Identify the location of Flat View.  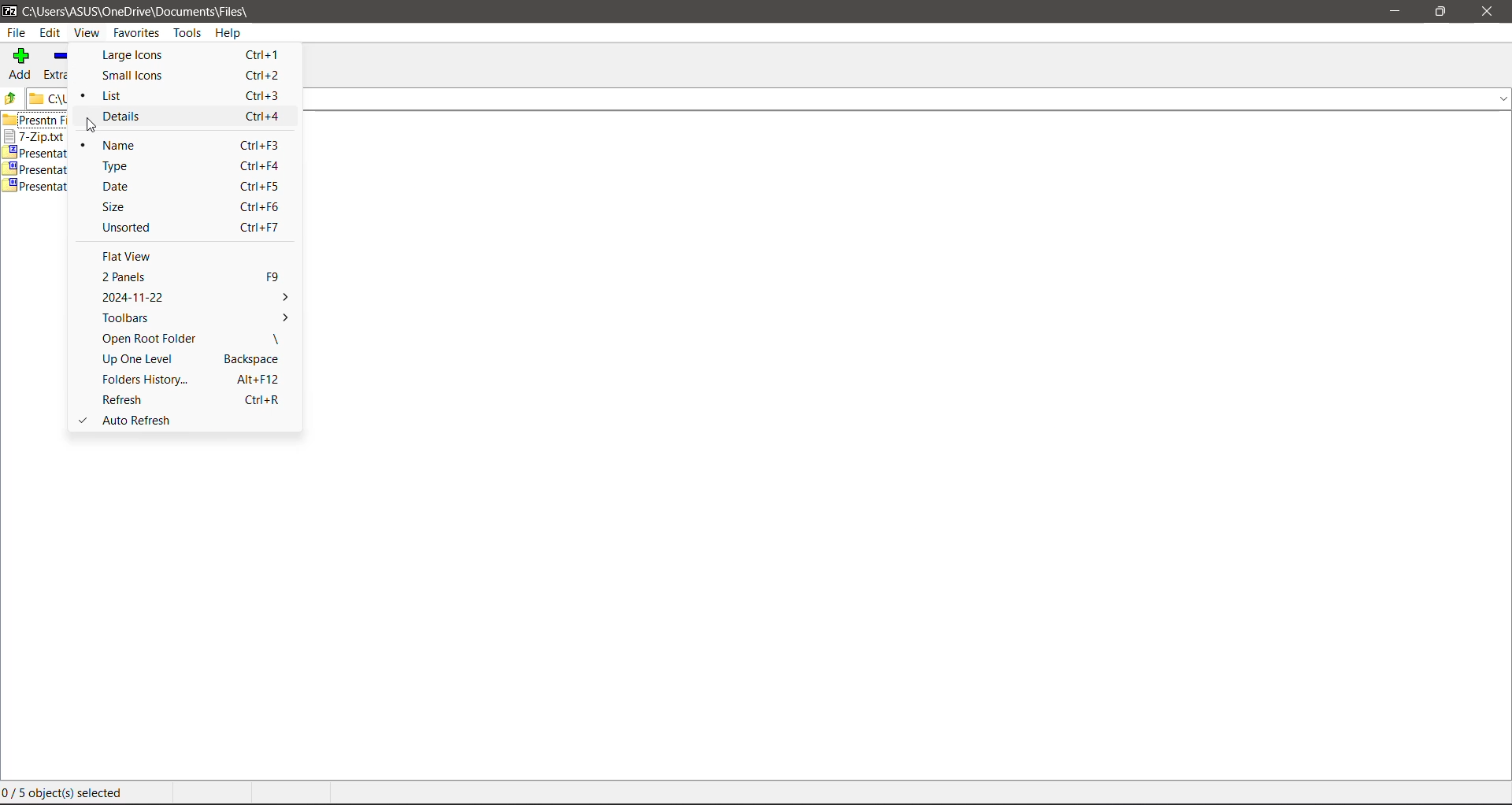
(139, 258).